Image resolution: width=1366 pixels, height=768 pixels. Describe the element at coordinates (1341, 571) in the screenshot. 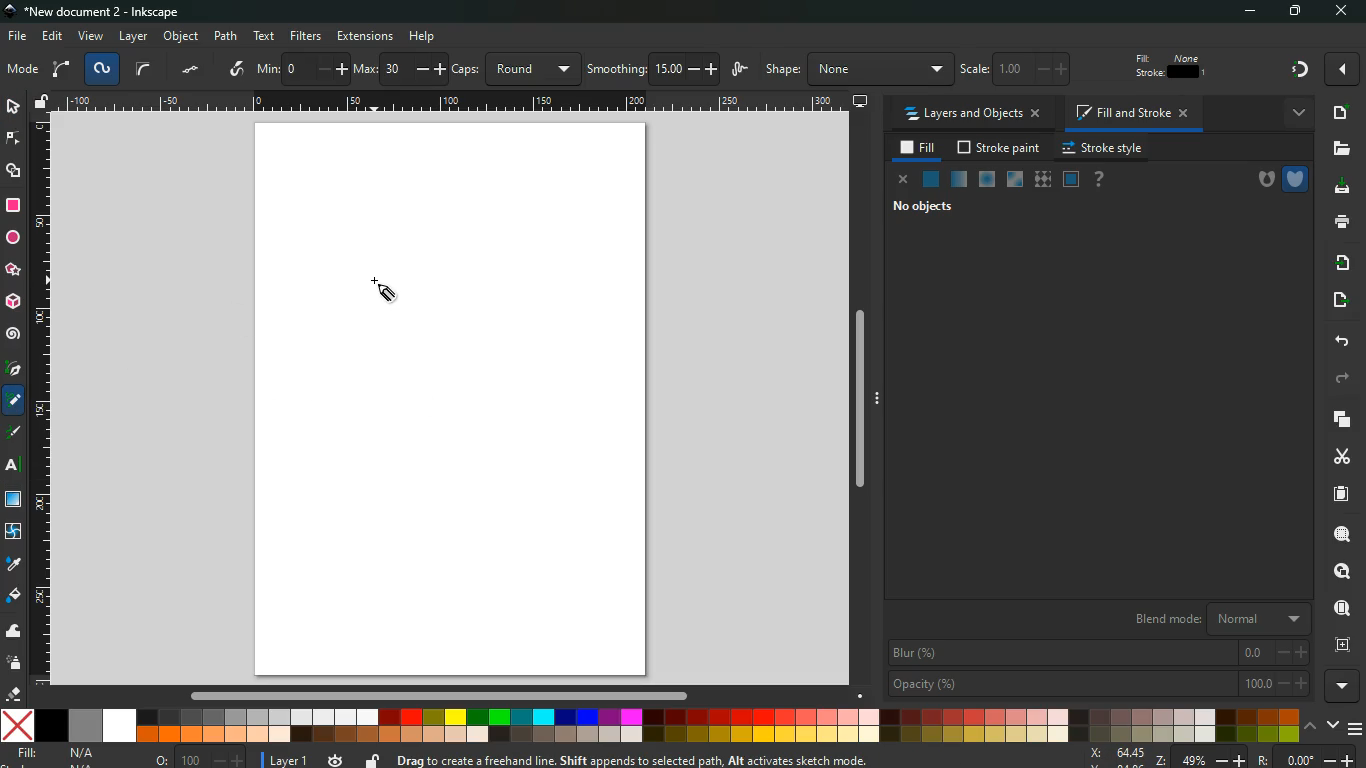

I see `look` at that location.